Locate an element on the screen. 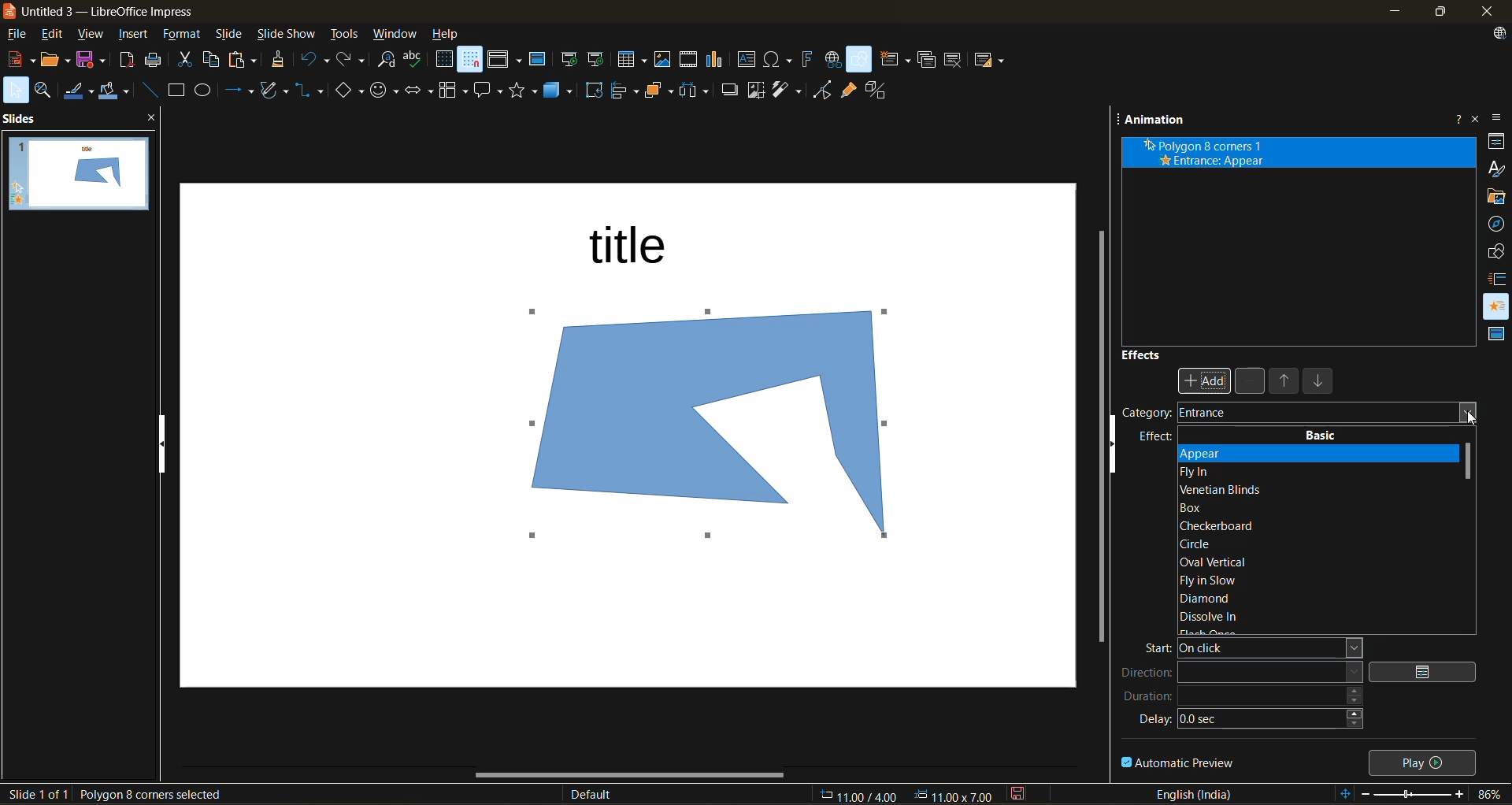  basic shapes is located at coordinates (352, 95).